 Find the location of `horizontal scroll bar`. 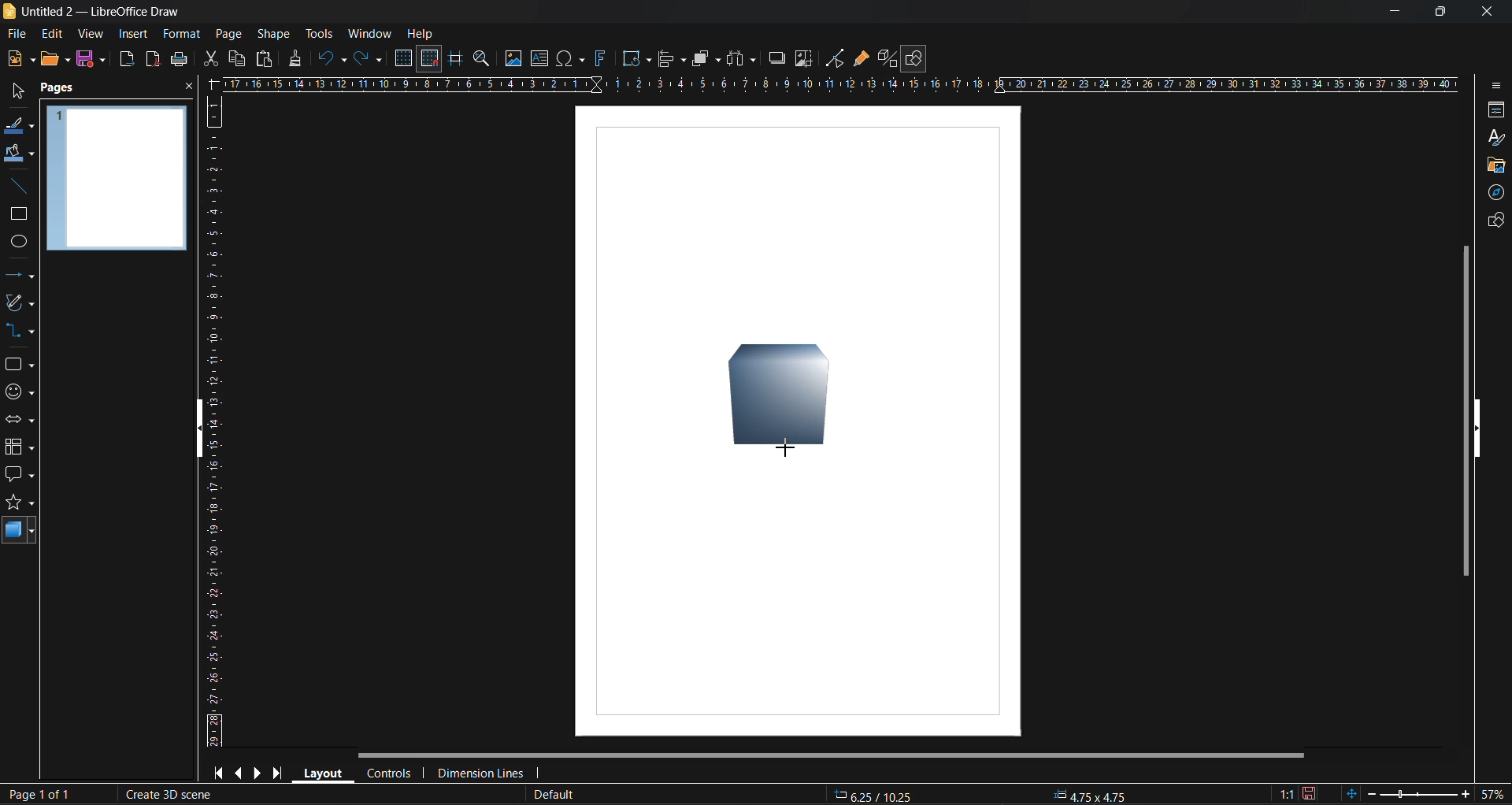

horizontal scroll bar is located at coordinates (836, 755).